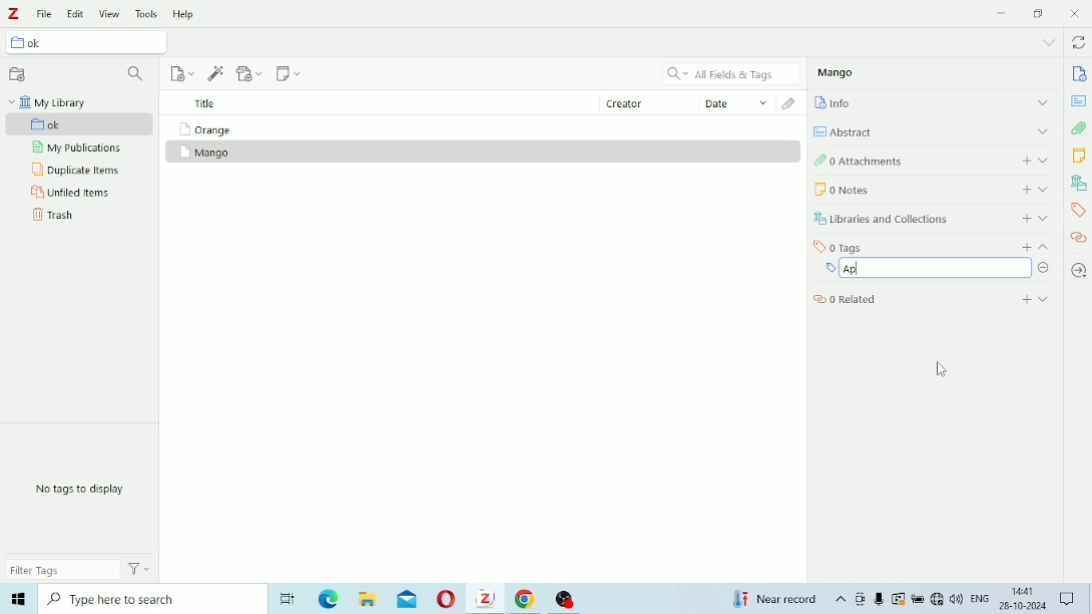  Describe the element at coordinates (72, 191) in the screenshot. I see `Unfiled Items` at that location.